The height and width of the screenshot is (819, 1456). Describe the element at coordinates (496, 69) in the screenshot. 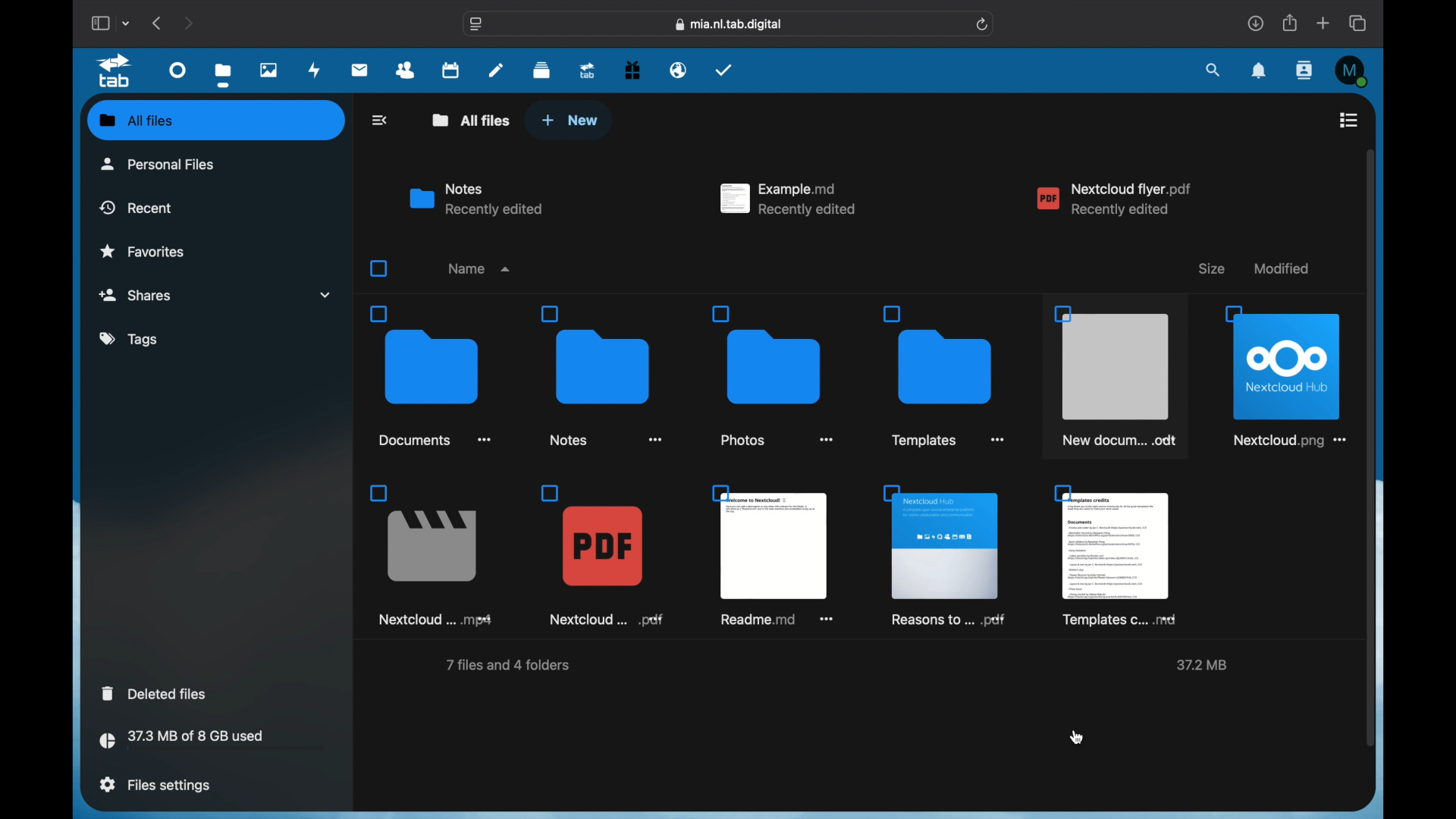

I see `notes` at that location.